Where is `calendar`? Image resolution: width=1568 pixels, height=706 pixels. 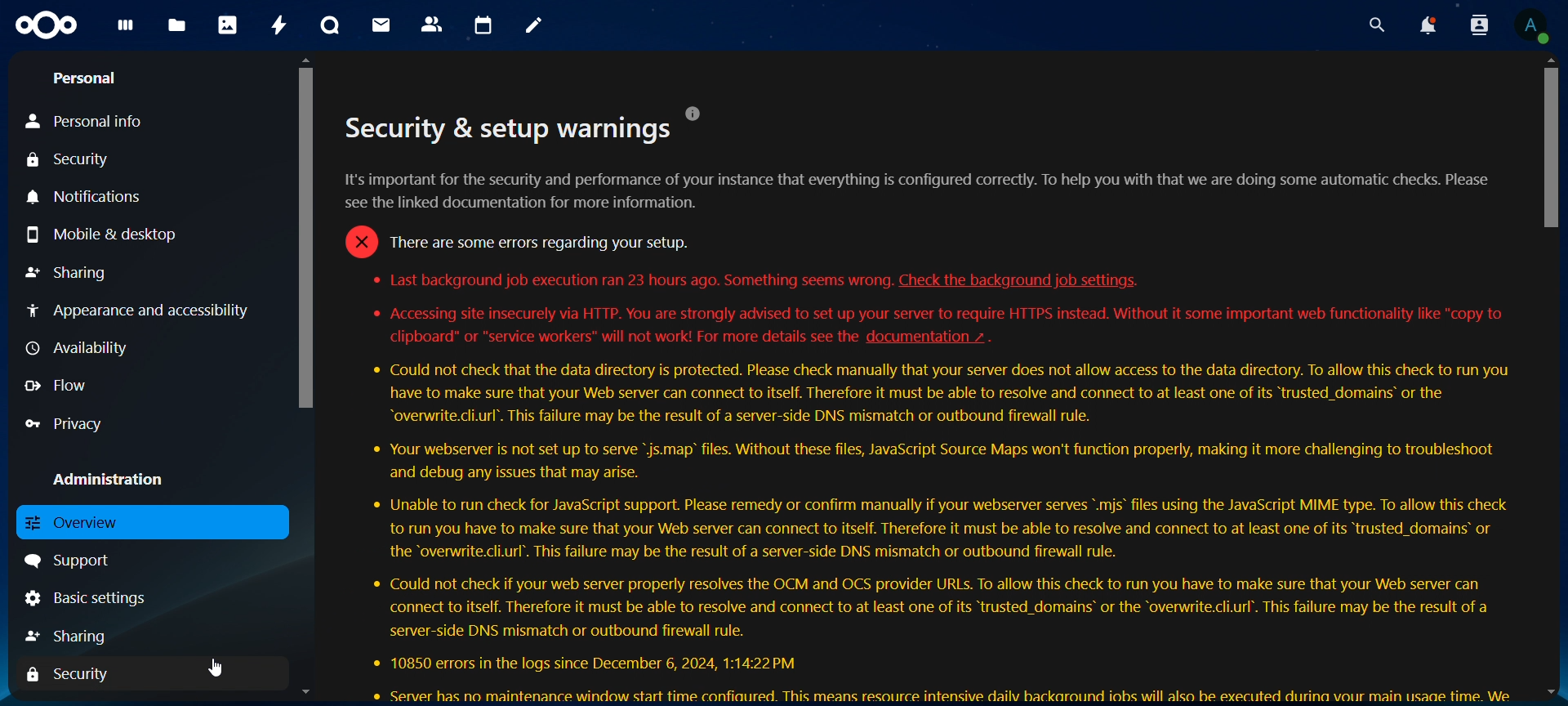 calendar is located at coordinates (483, 27).